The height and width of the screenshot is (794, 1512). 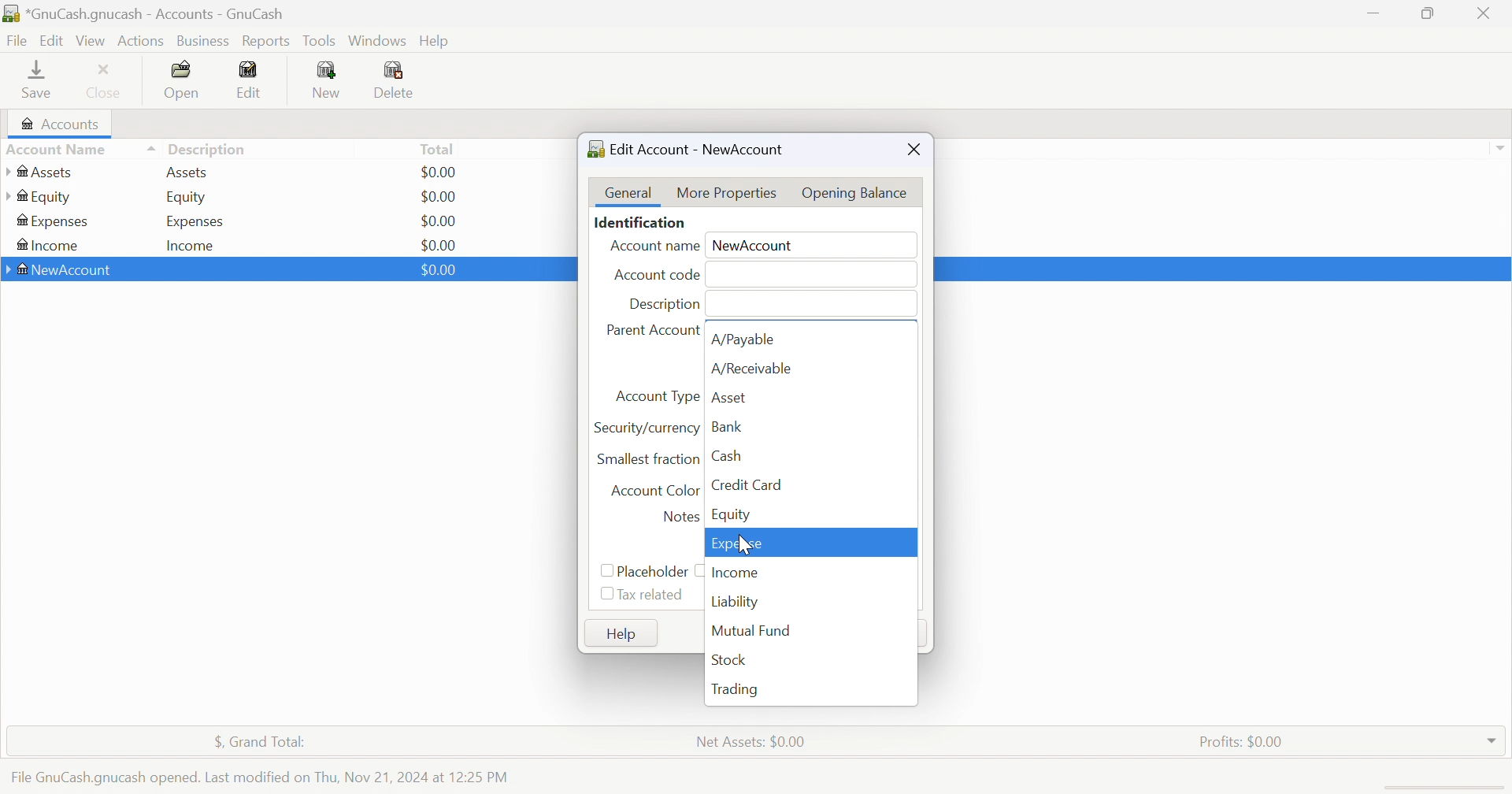 What do you see at coordinates (439, 270) in the screenshot?
I see `$0.00` at bounding box center [439, 270].